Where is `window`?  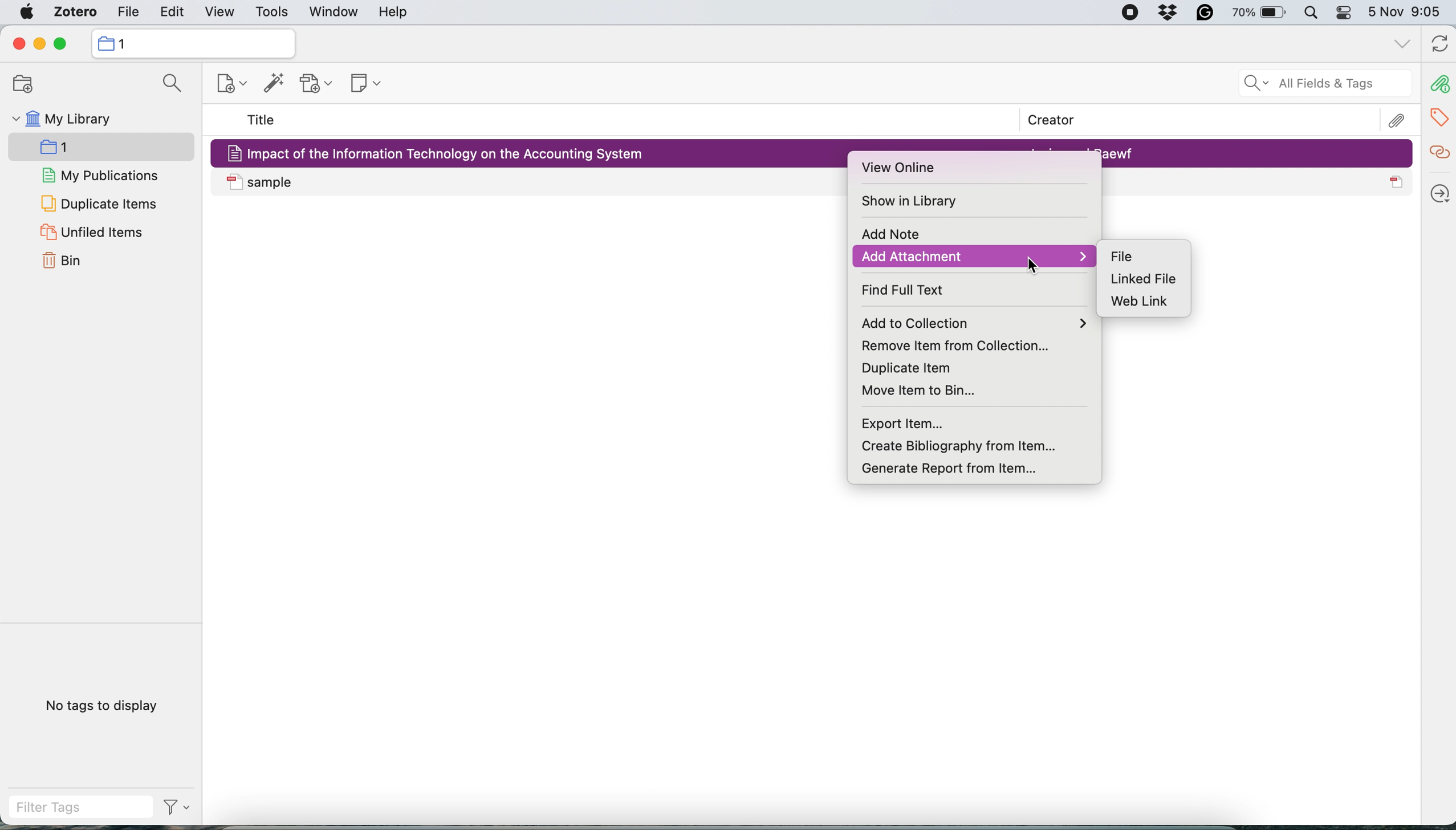
window is located at coordinates (332, 13).